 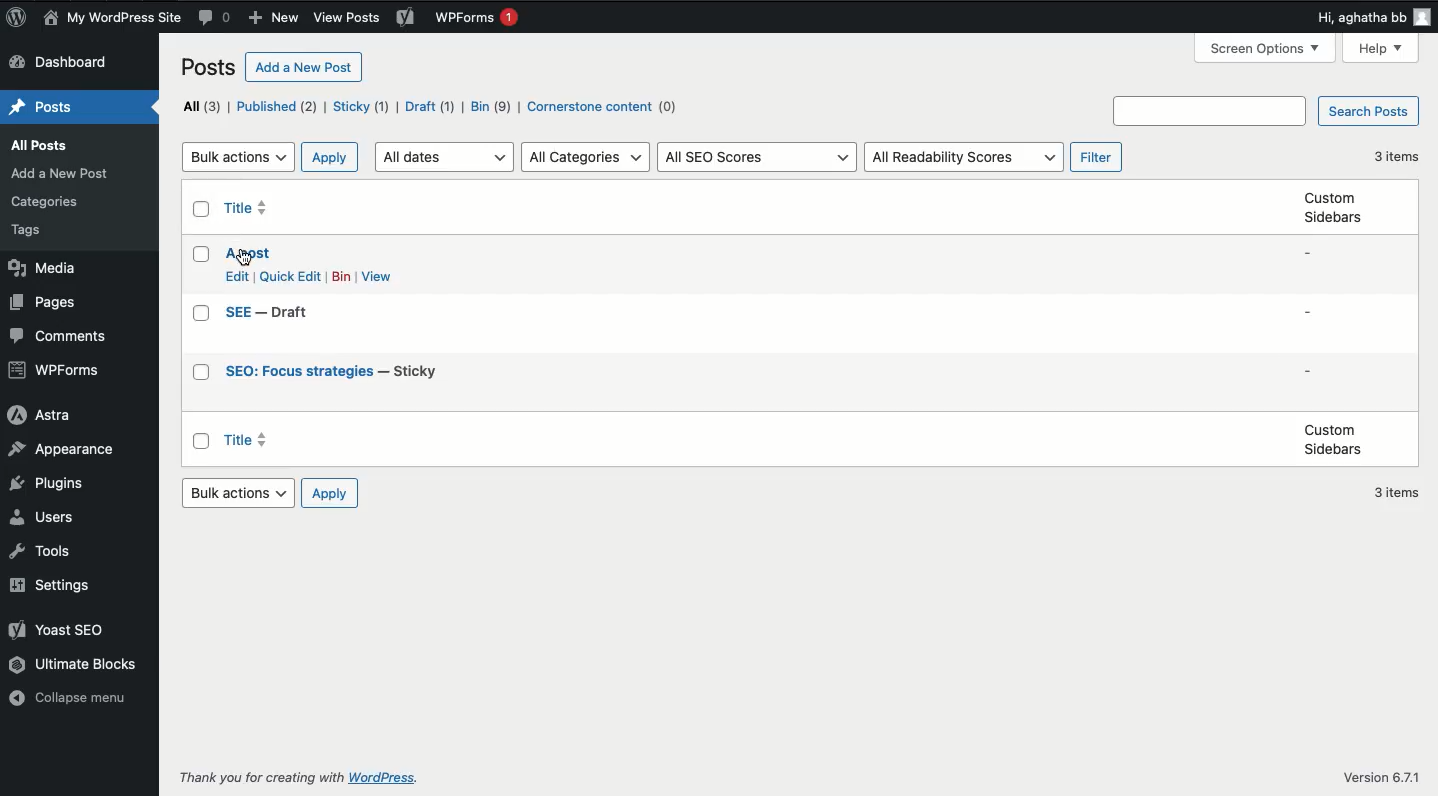 I want to click on Checkbox, so click(x=199, y=211).